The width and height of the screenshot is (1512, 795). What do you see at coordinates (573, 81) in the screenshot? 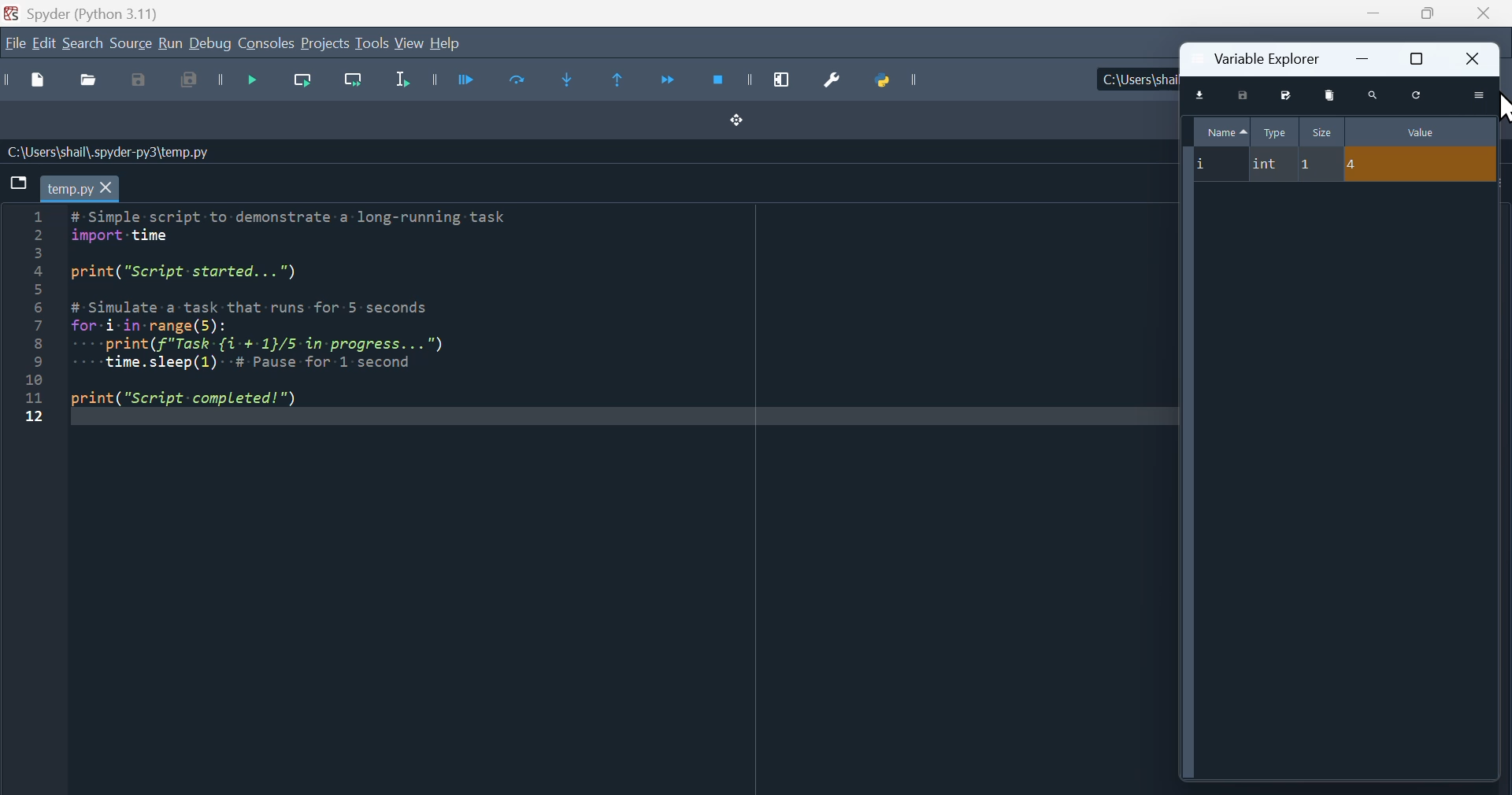
I see `Step into function` at bounding box center [573, 81].